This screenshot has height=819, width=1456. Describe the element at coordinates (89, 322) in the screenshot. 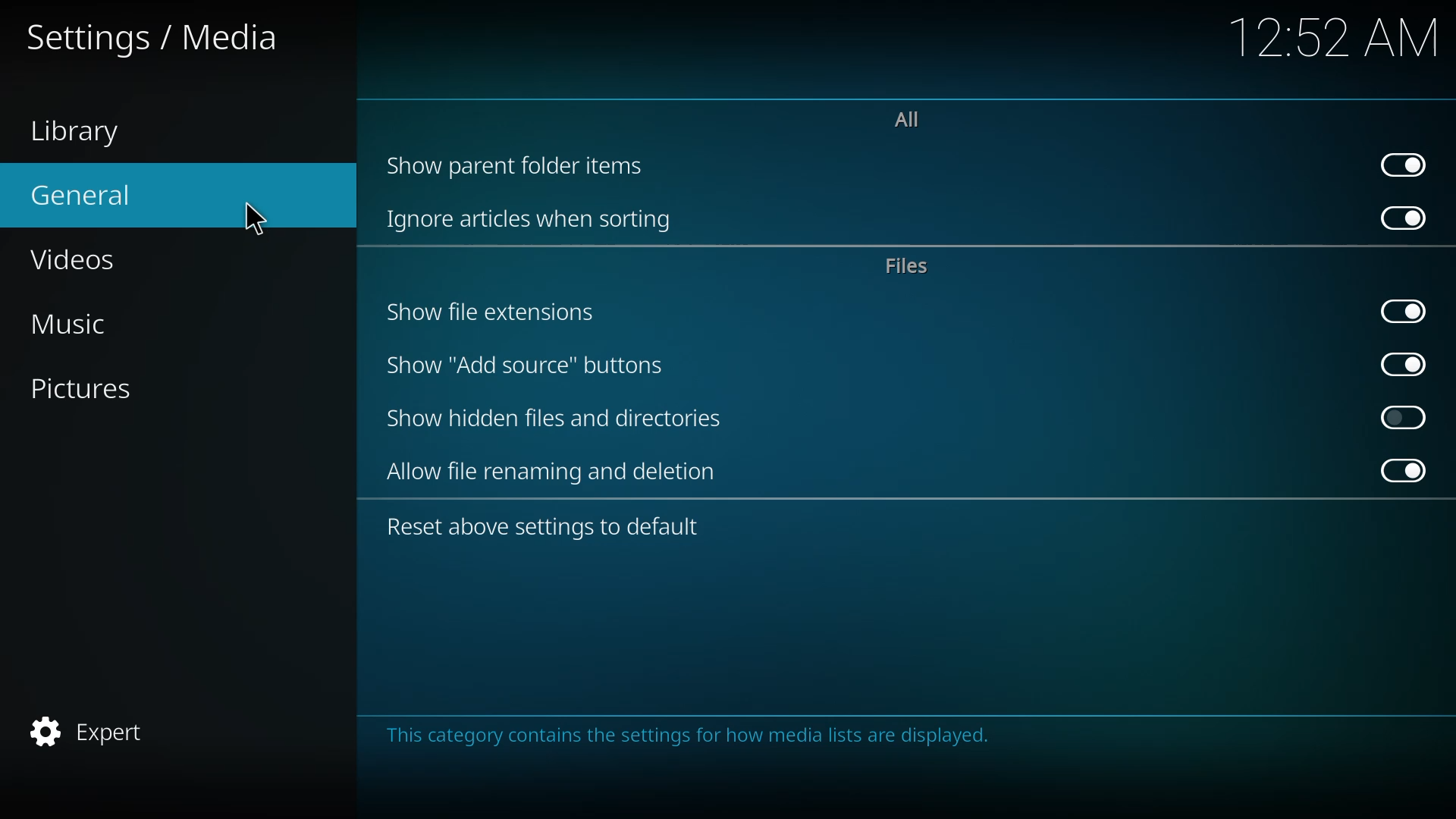

I see `music` at that location.